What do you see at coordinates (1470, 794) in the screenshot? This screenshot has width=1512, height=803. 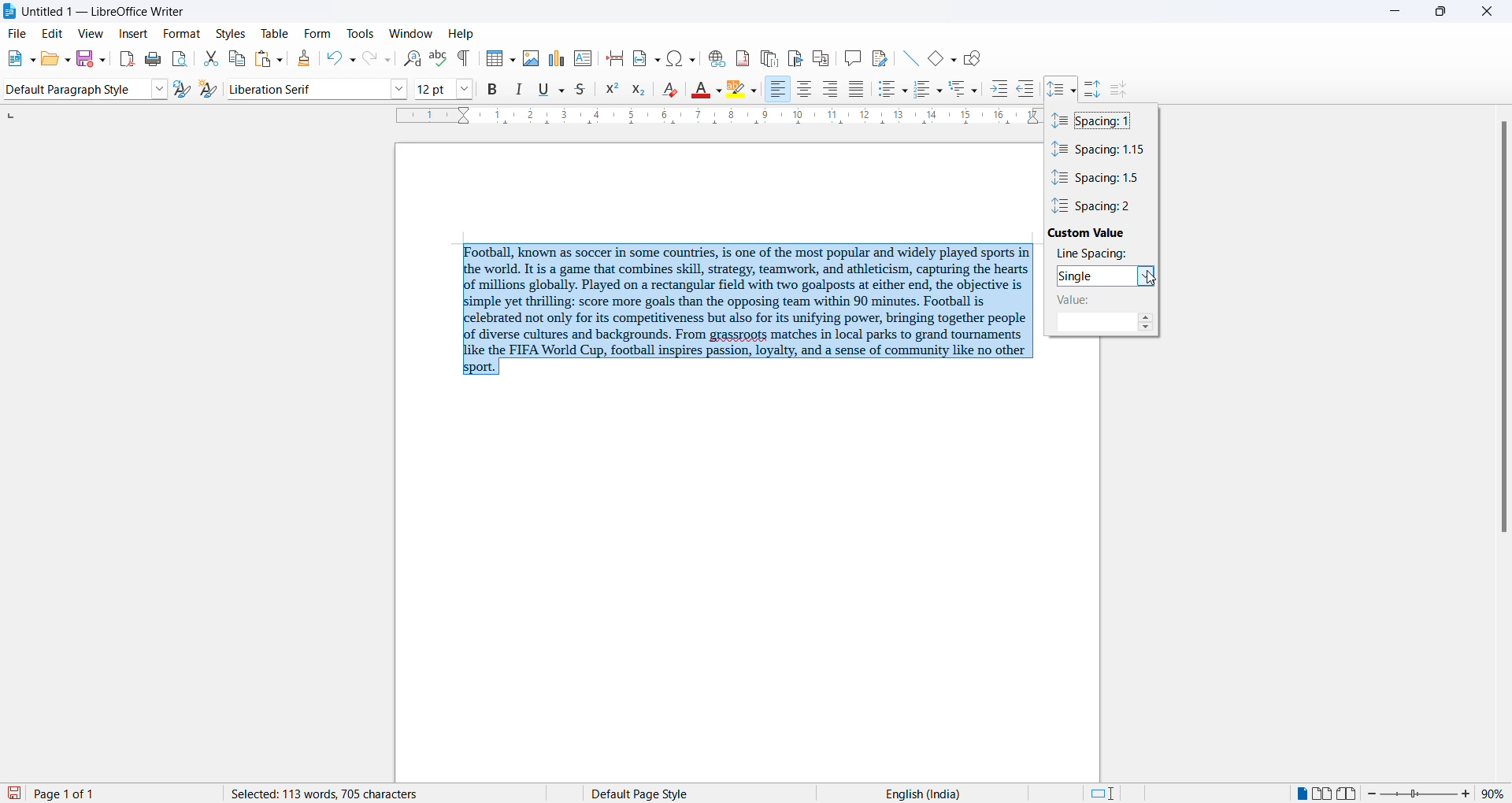 I see `increase zoom` at bounding box center [1470, 794].